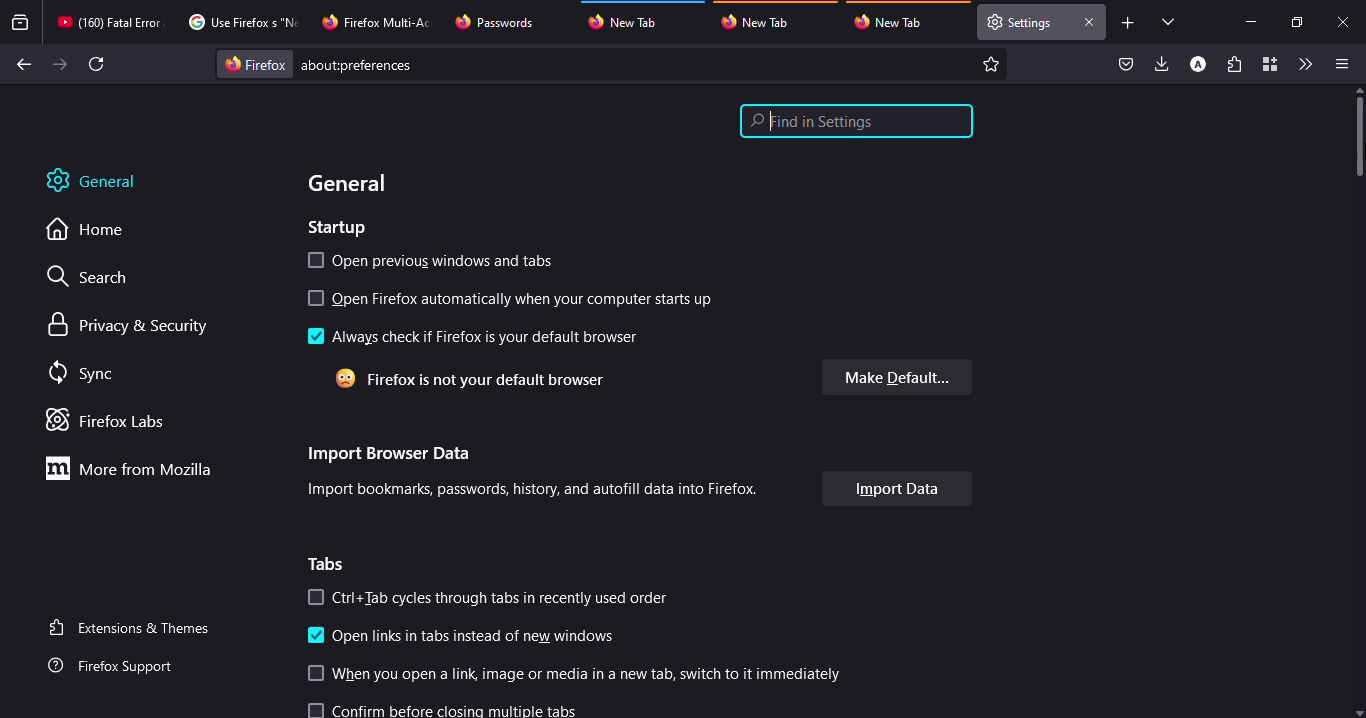  I want to click on tab, so click(497, 22).